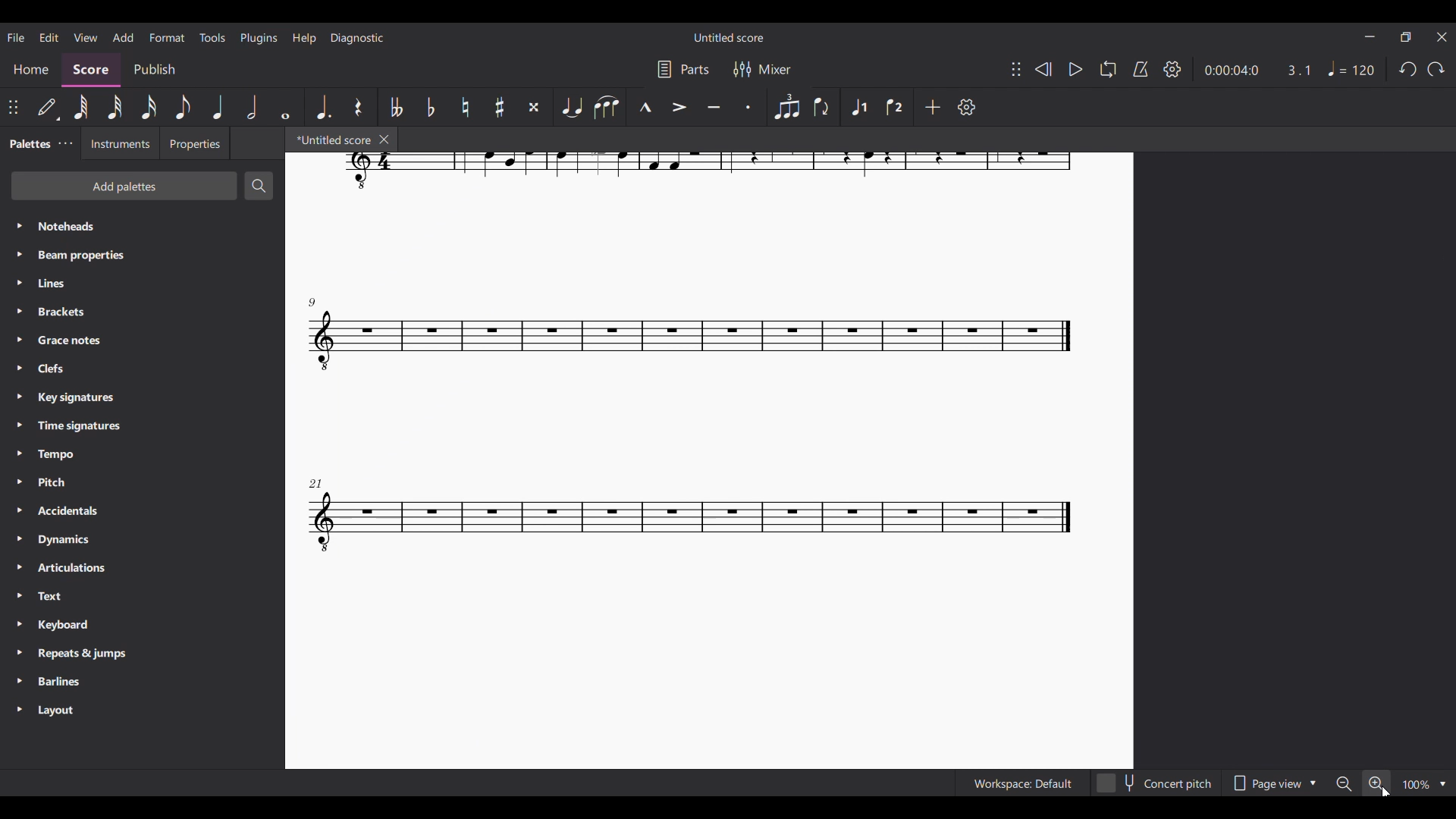 The width and height of the screenshot is (1456, 819). I want to click on Current ratio, so click(1298, 71).